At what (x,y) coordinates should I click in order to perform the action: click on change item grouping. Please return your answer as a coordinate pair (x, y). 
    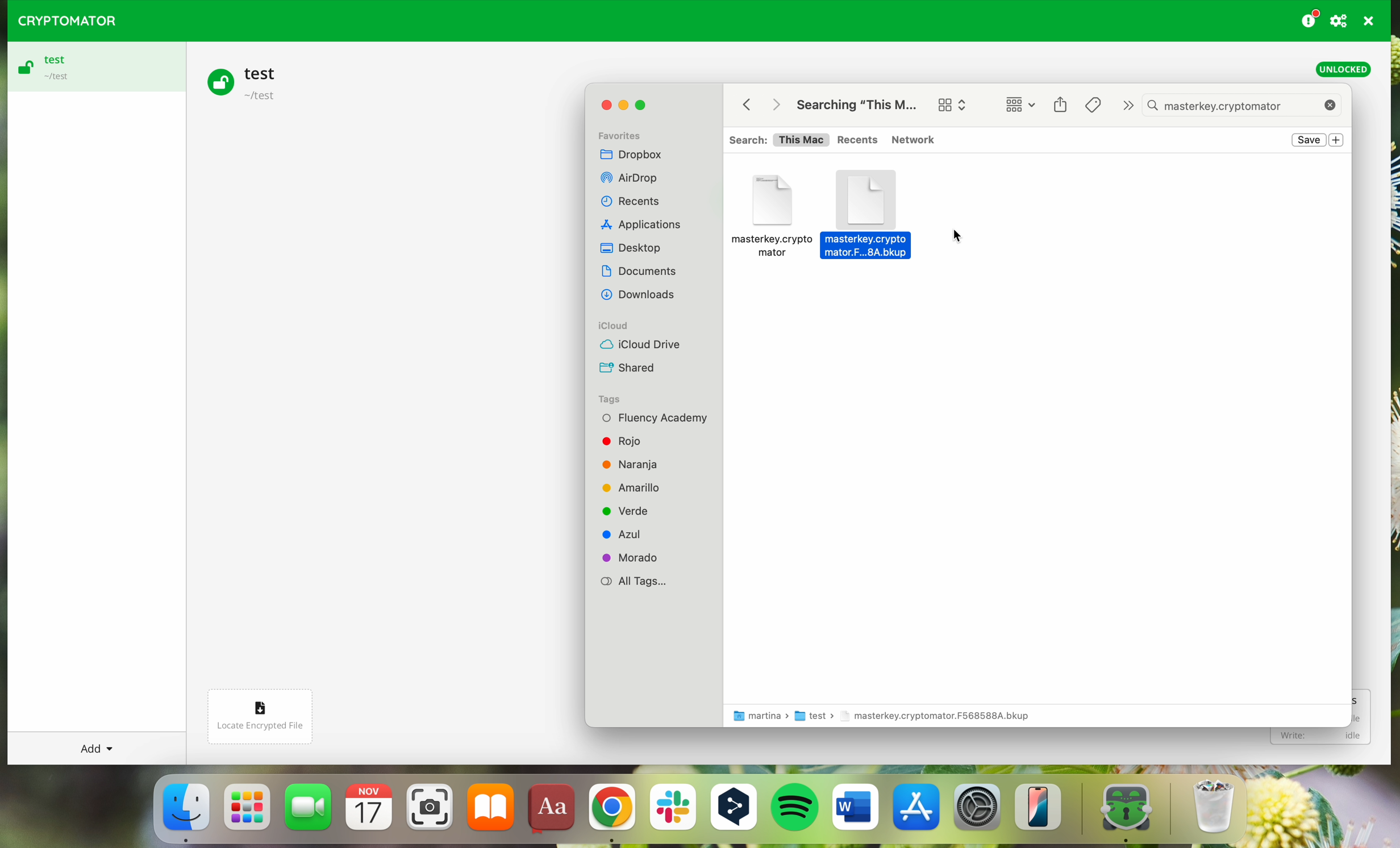
    Looking at the image, I should click on (1024, 106).